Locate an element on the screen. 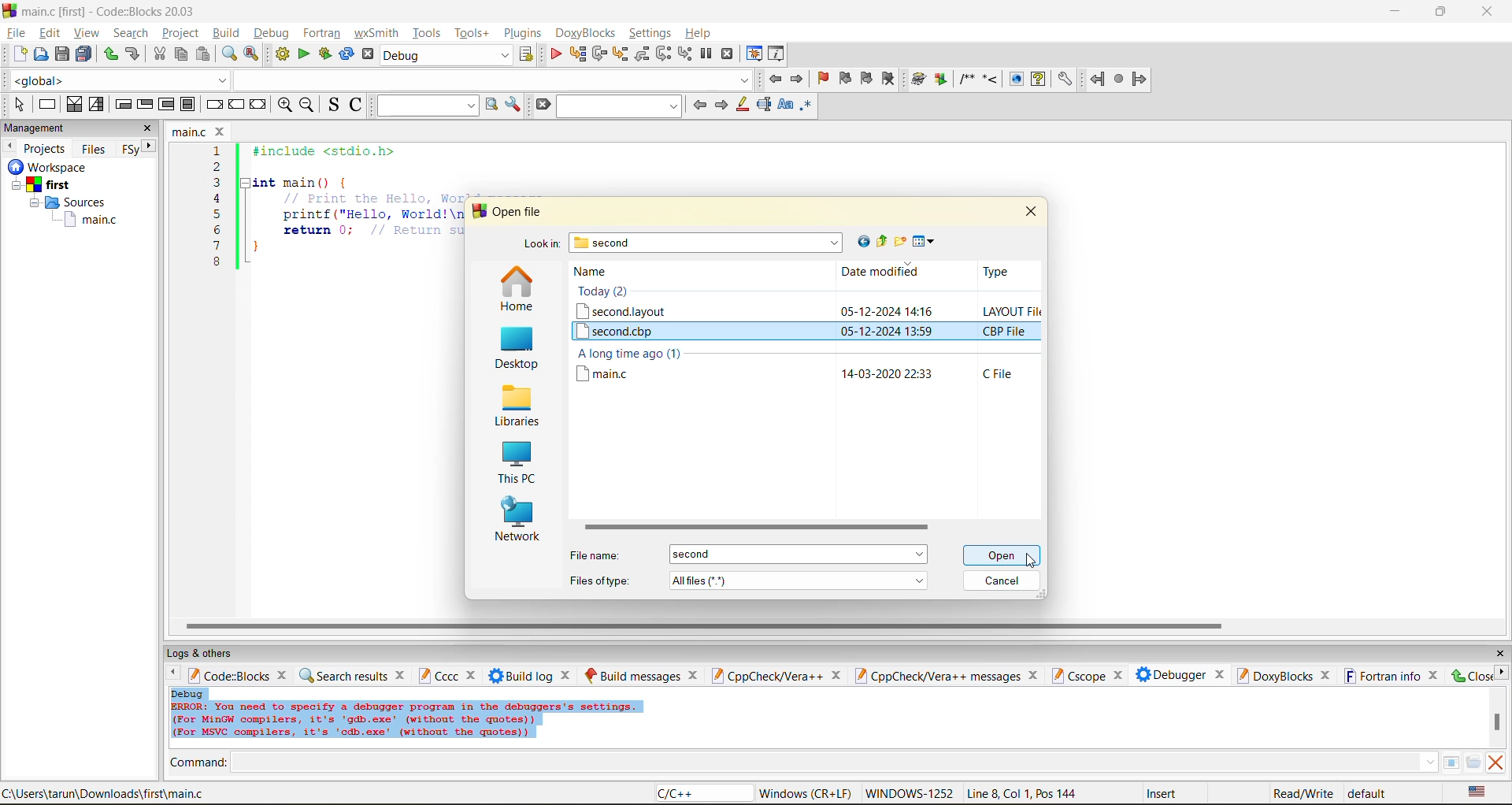 The image size is (1512, 805). projects is located at coordinates (46, 148).